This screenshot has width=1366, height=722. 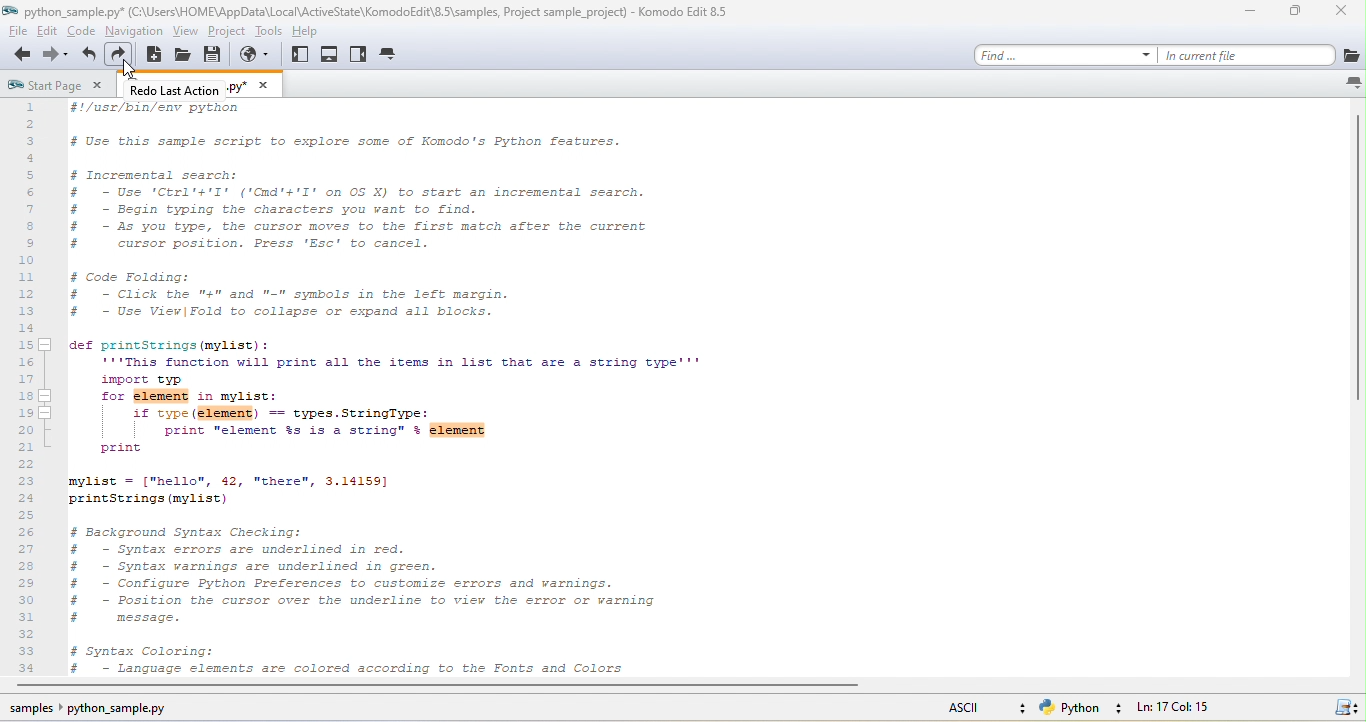 What do you see at coordinates (1061, 54) in the screenshot?
I see `find` at bounding box center [1061, 54].